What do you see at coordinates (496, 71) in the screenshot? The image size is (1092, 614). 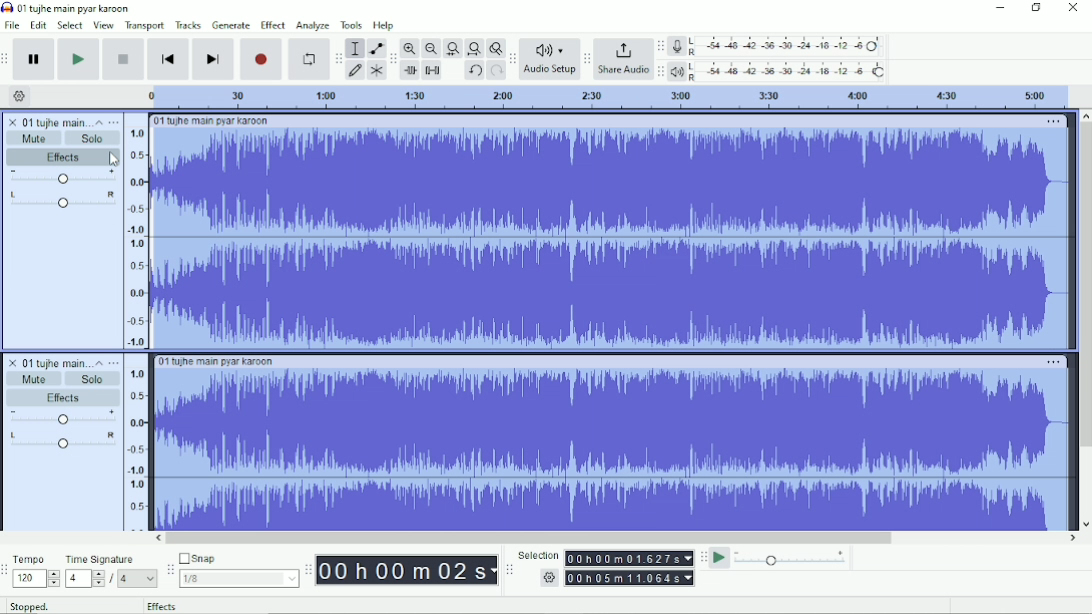 I see `Redo` at bounding box center [496, 71].